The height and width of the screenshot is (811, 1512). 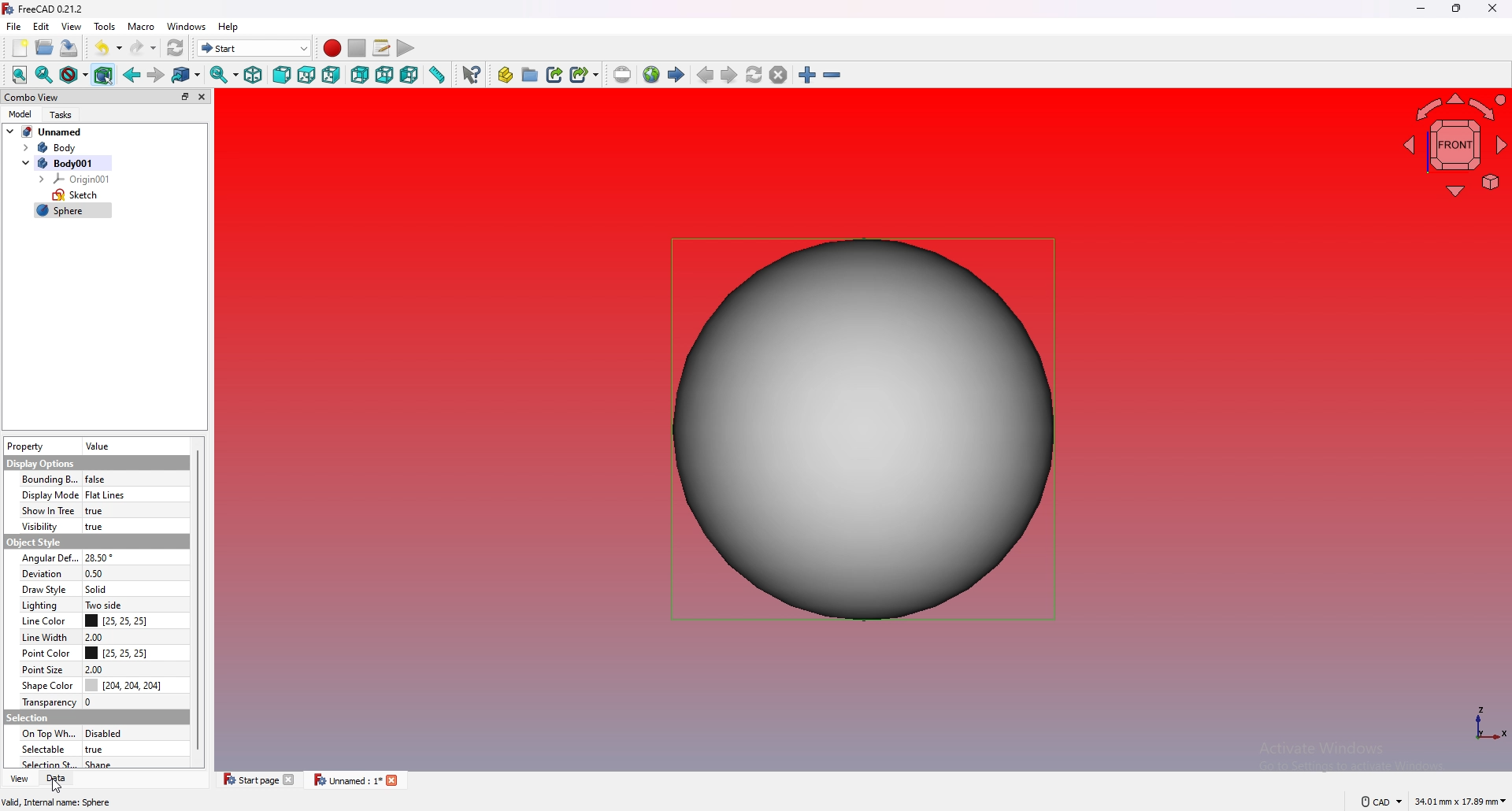 What do you see at coordinates (255, 779) in the screenshot?
I see `tab 1` at bounding box center [255, 779].